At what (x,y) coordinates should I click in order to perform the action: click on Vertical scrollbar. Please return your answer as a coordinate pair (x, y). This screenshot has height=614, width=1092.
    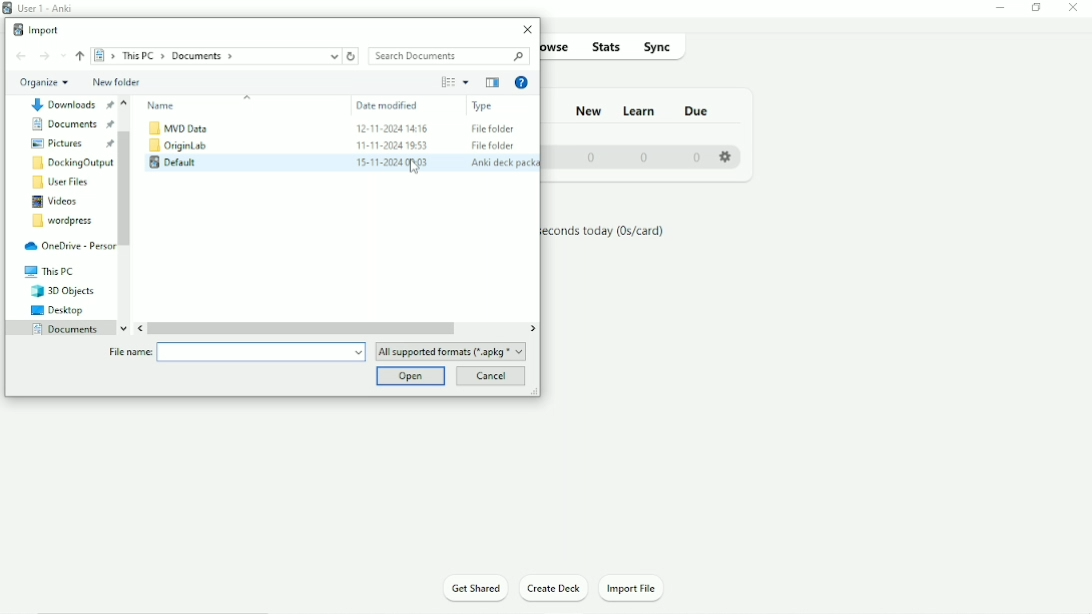
    Looking at the image, I should click on (125, 187).